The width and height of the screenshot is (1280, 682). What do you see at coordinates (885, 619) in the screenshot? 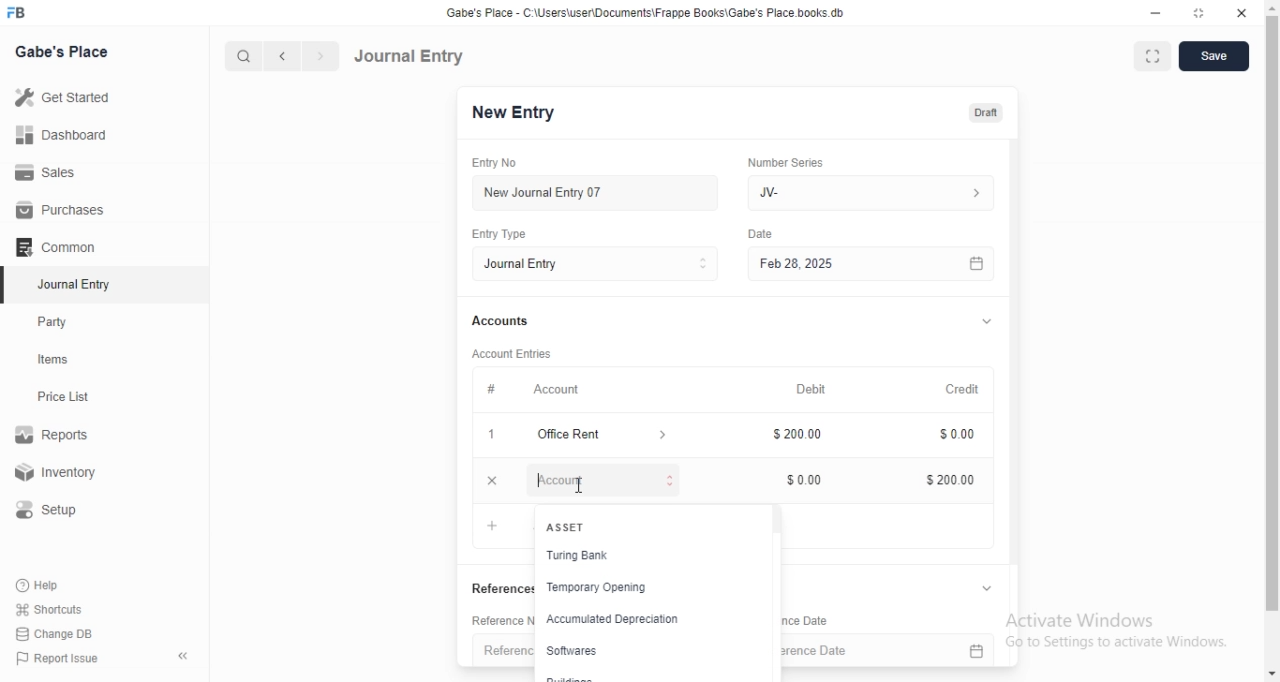
I see `Reference Date ` at bounding box center [885, 619].